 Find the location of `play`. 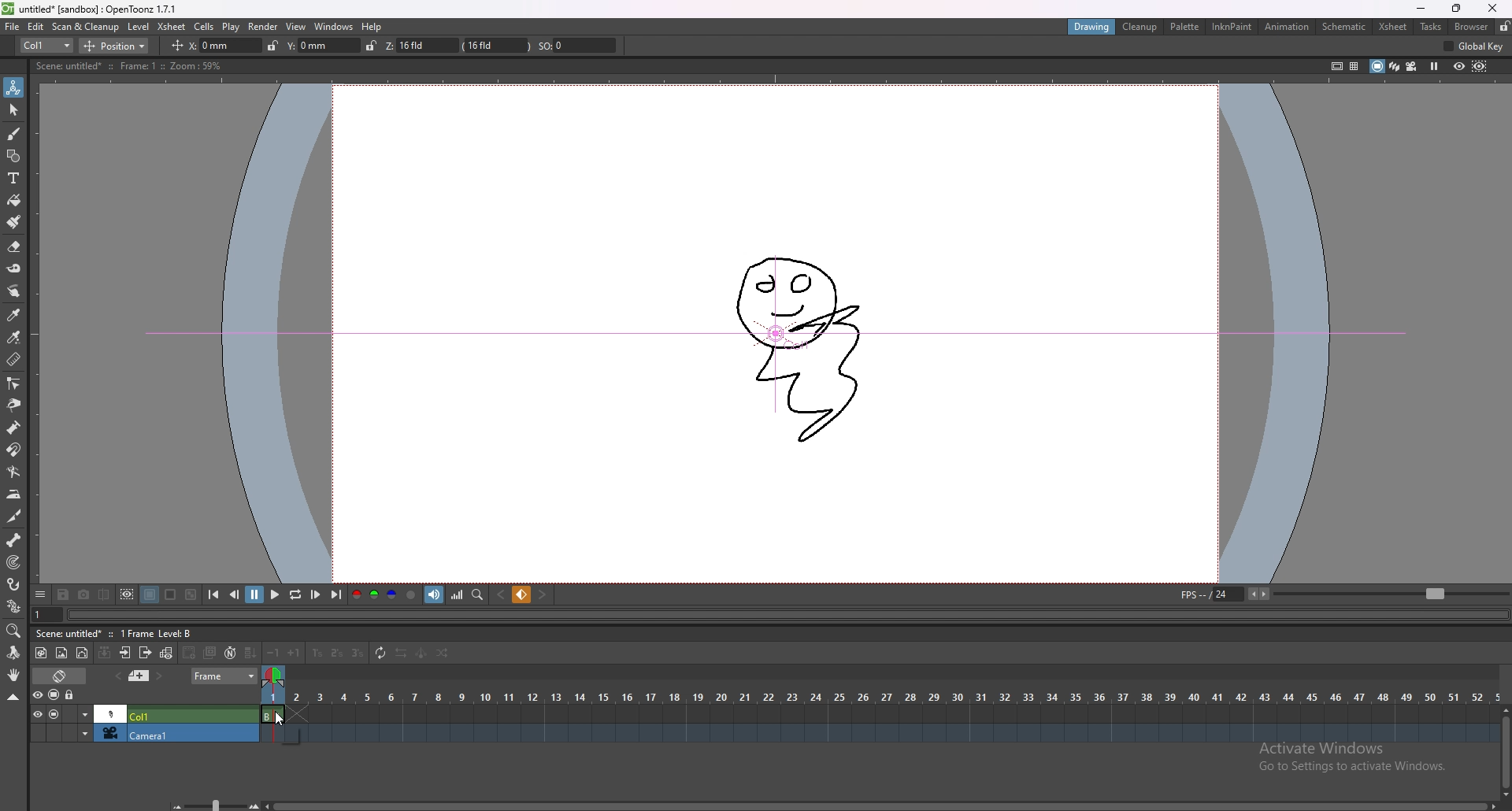

play is located at coordinates (232, 27).